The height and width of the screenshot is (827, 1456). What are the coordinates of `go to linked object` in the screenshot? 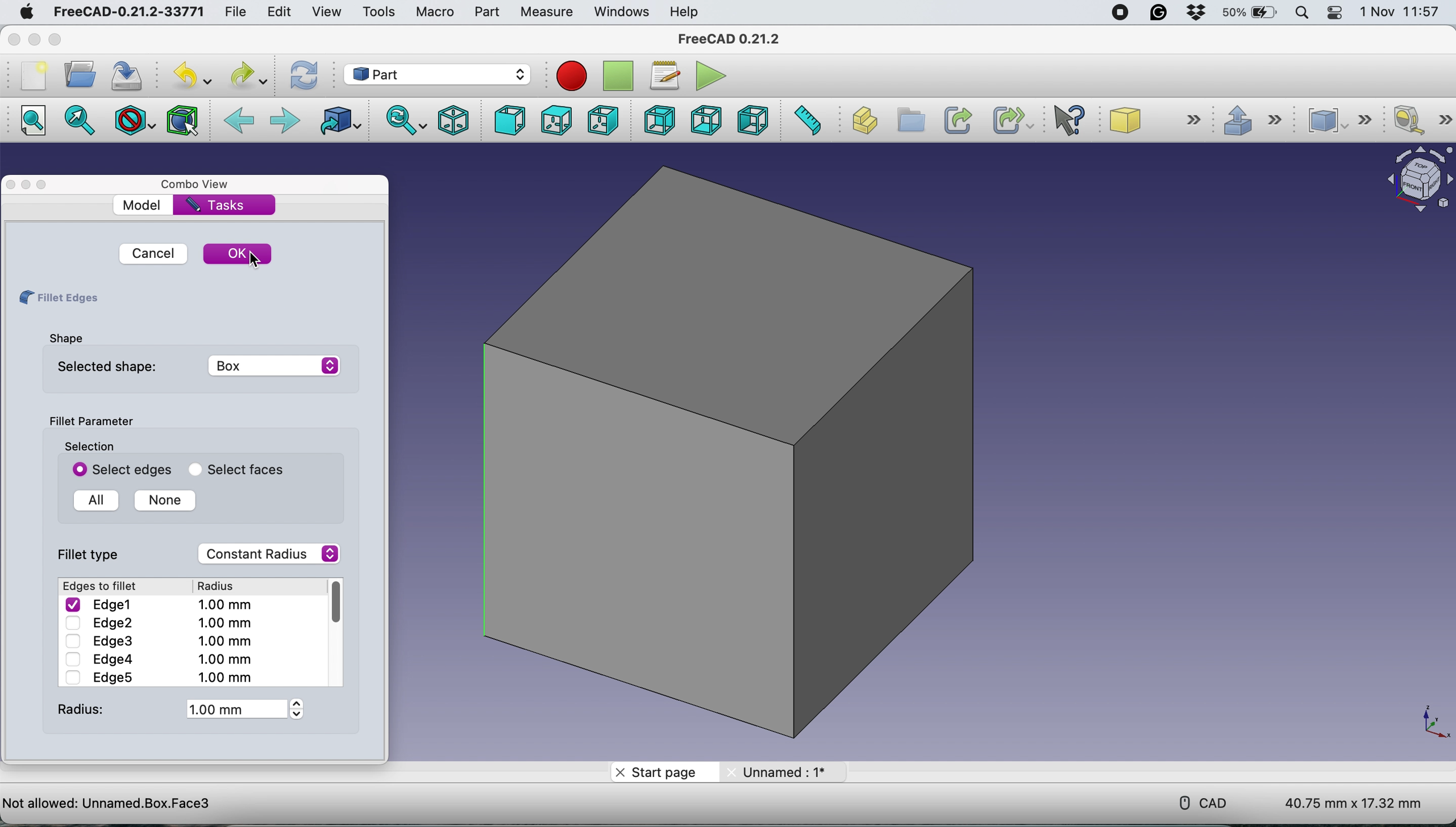 It's located at (338, 123).